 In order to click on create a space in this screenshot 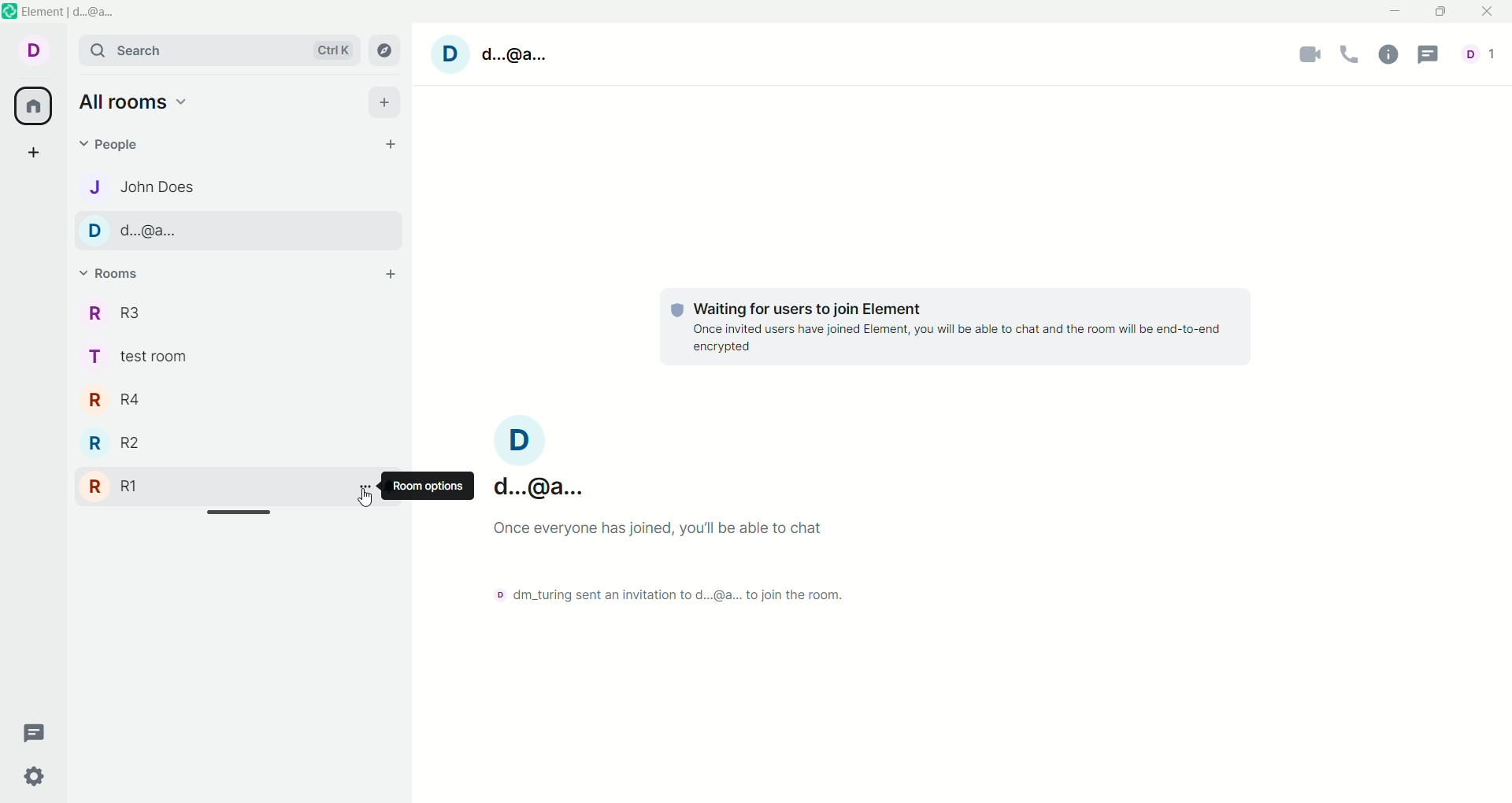, I will do `click(30, 154)`.